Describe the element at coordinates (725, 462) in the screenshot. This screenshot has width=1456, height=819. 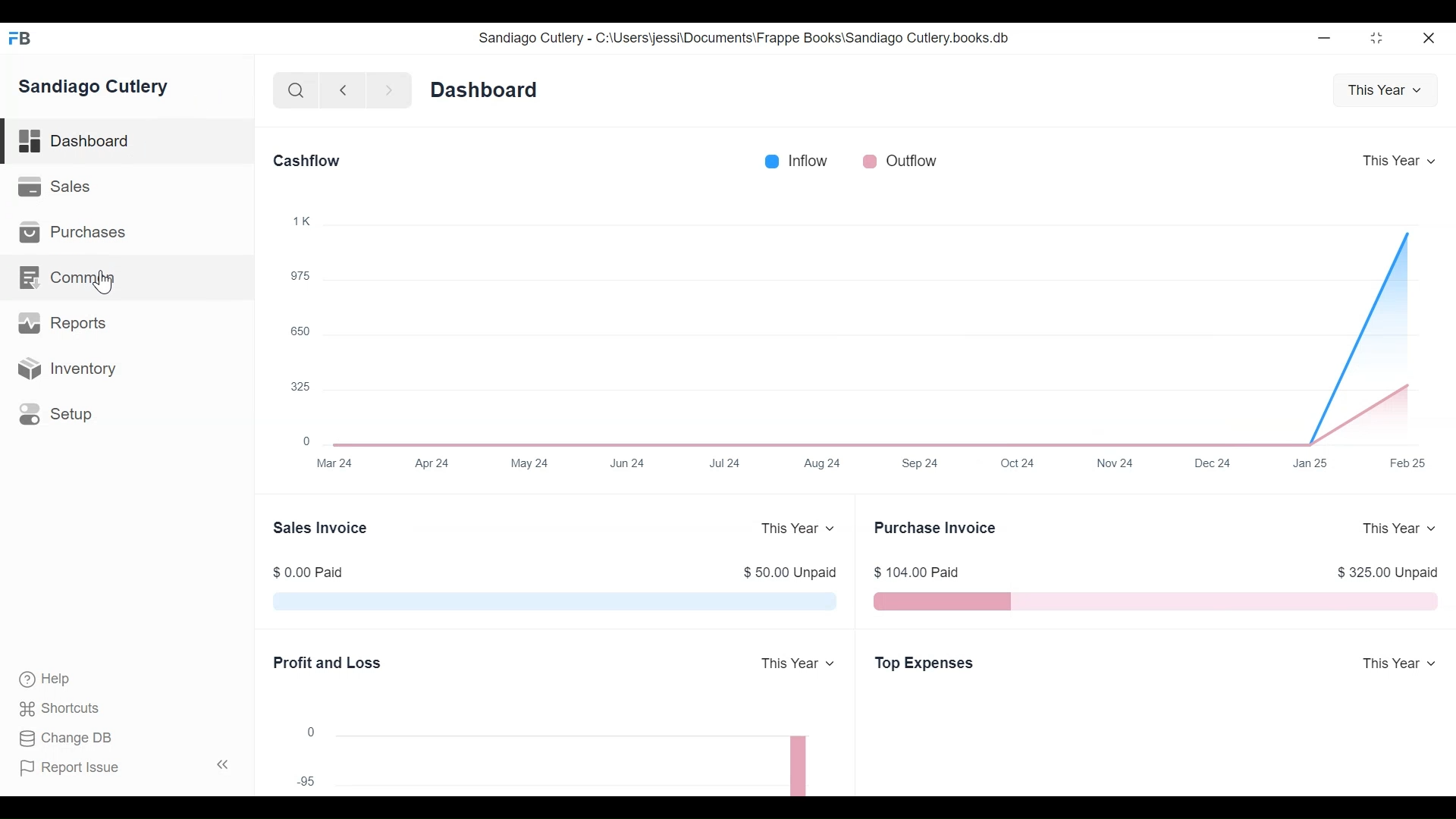
I see `Jul 24` at that location.